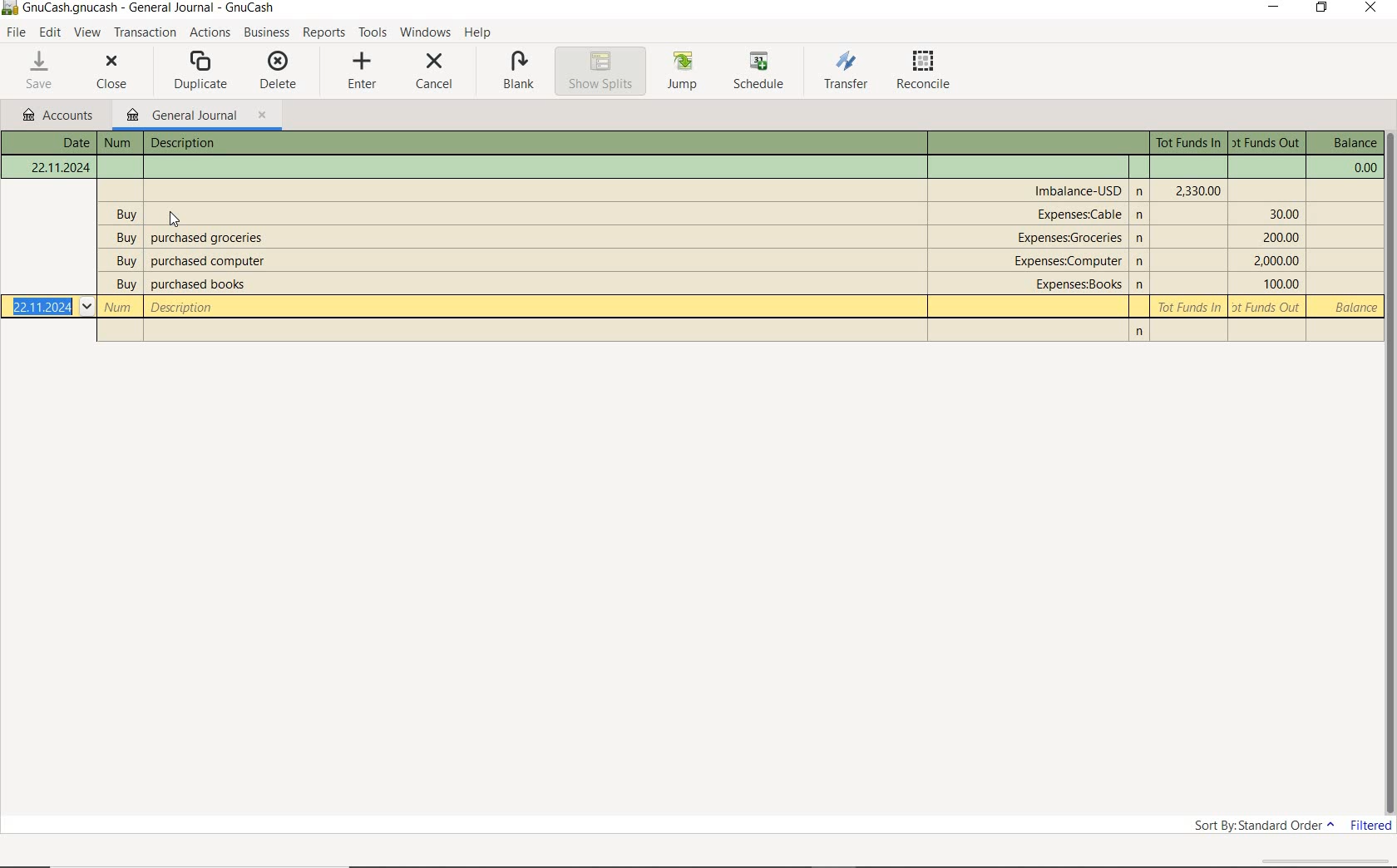 The image size is (1397, 868). What do you see at coordinates (86, 33) in the screenshot?
I see `VIEW` at bounding box center [86, 33].